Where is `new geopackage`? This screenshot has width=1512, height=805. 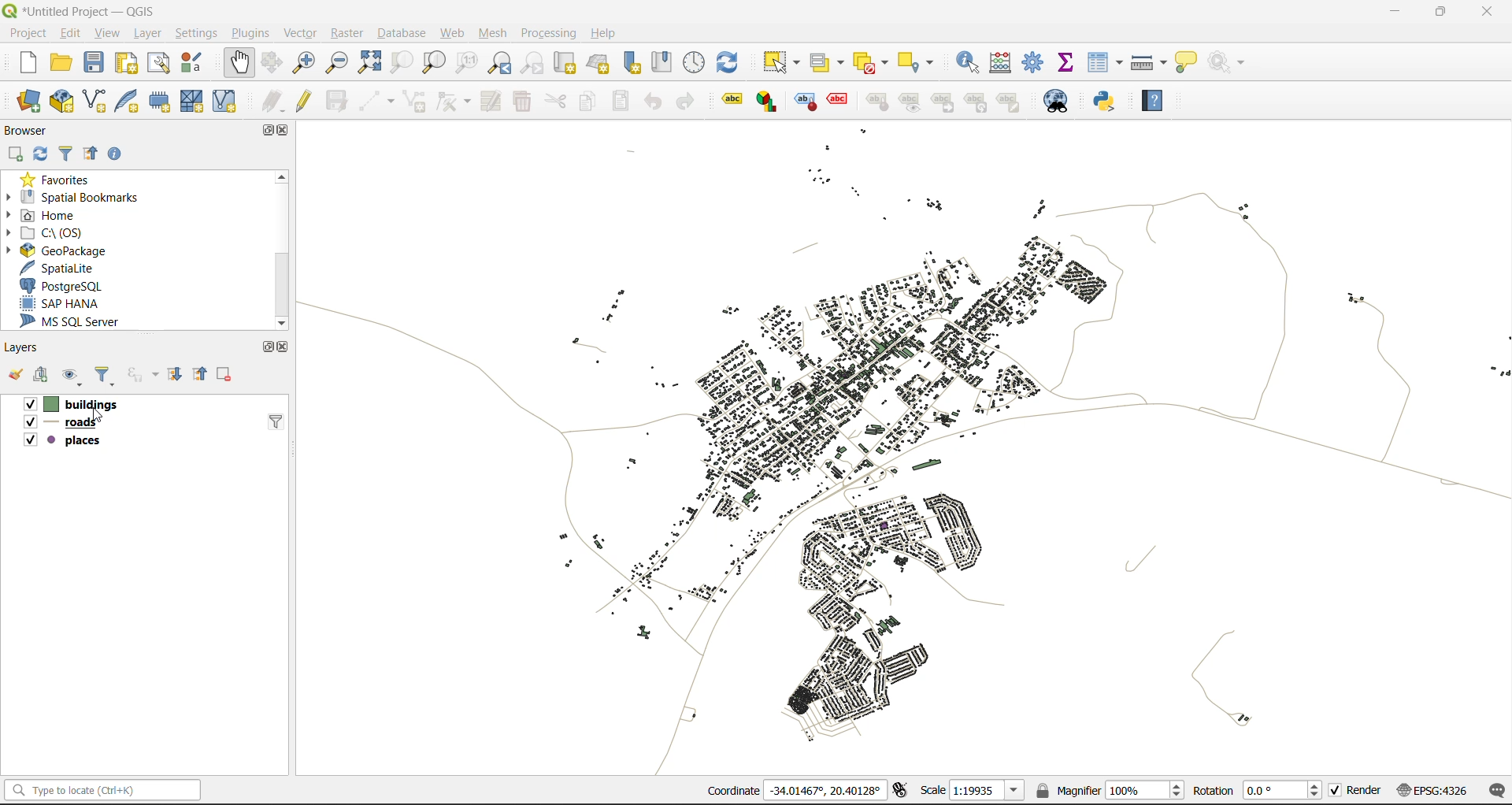
new geopackage is located at coordinates (61, 102).